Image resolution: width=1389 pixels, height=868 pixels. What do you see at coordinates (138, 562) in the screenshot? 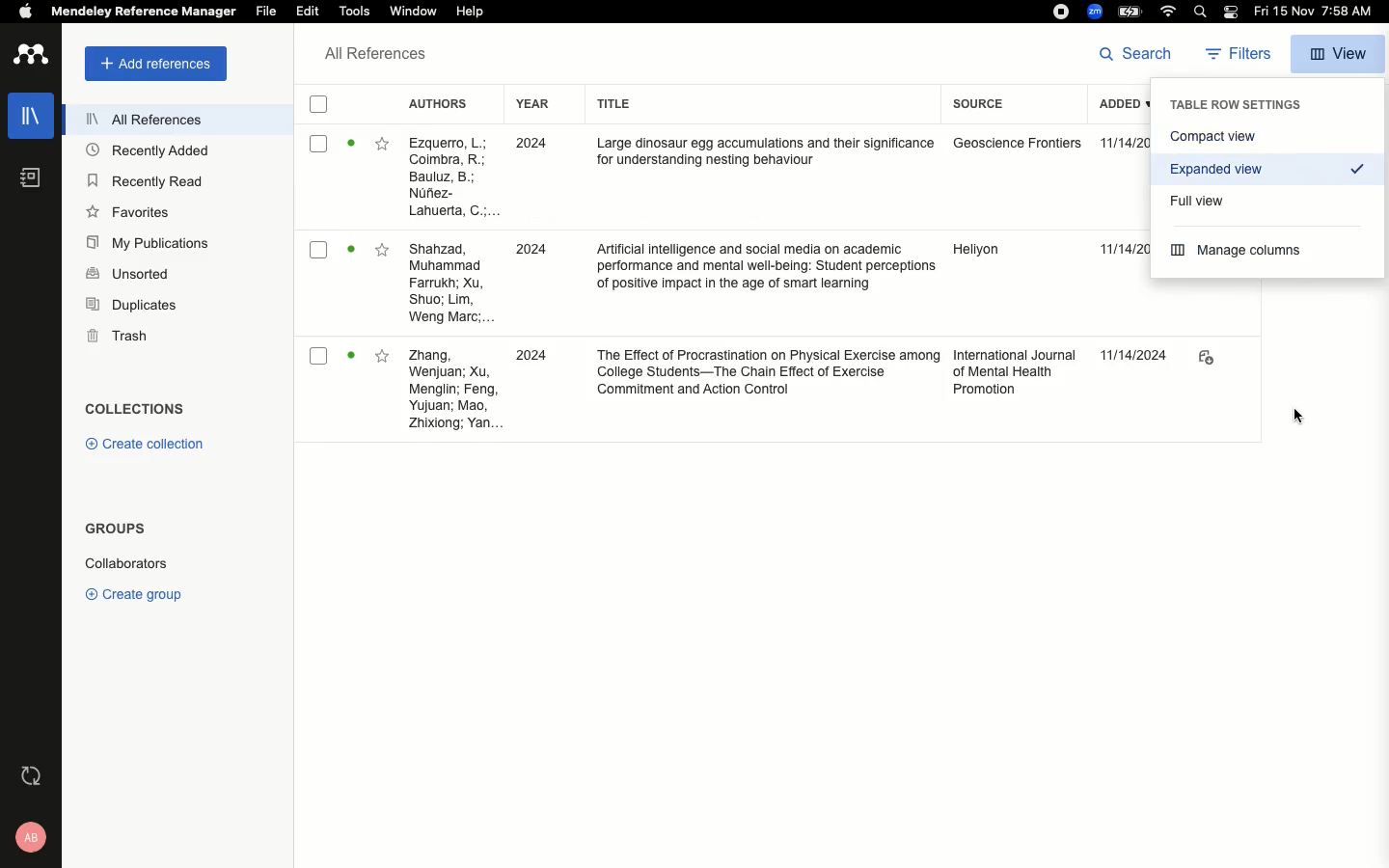
I see `Collaborators` at bounding box center [138, 562].